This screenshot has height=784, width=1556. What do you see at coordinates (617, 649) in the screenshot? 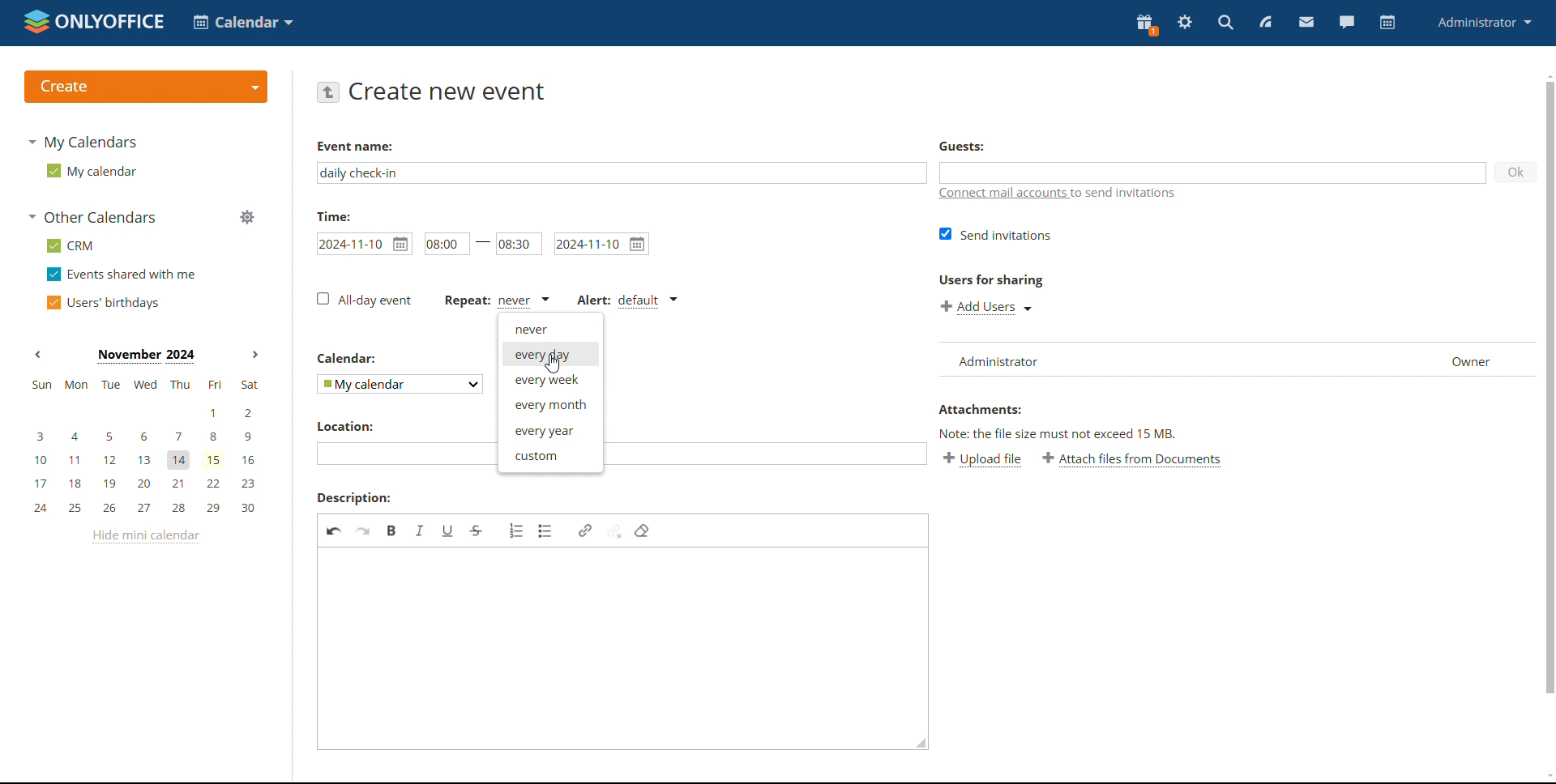
I see `add description` at bounding box center [617, 649].